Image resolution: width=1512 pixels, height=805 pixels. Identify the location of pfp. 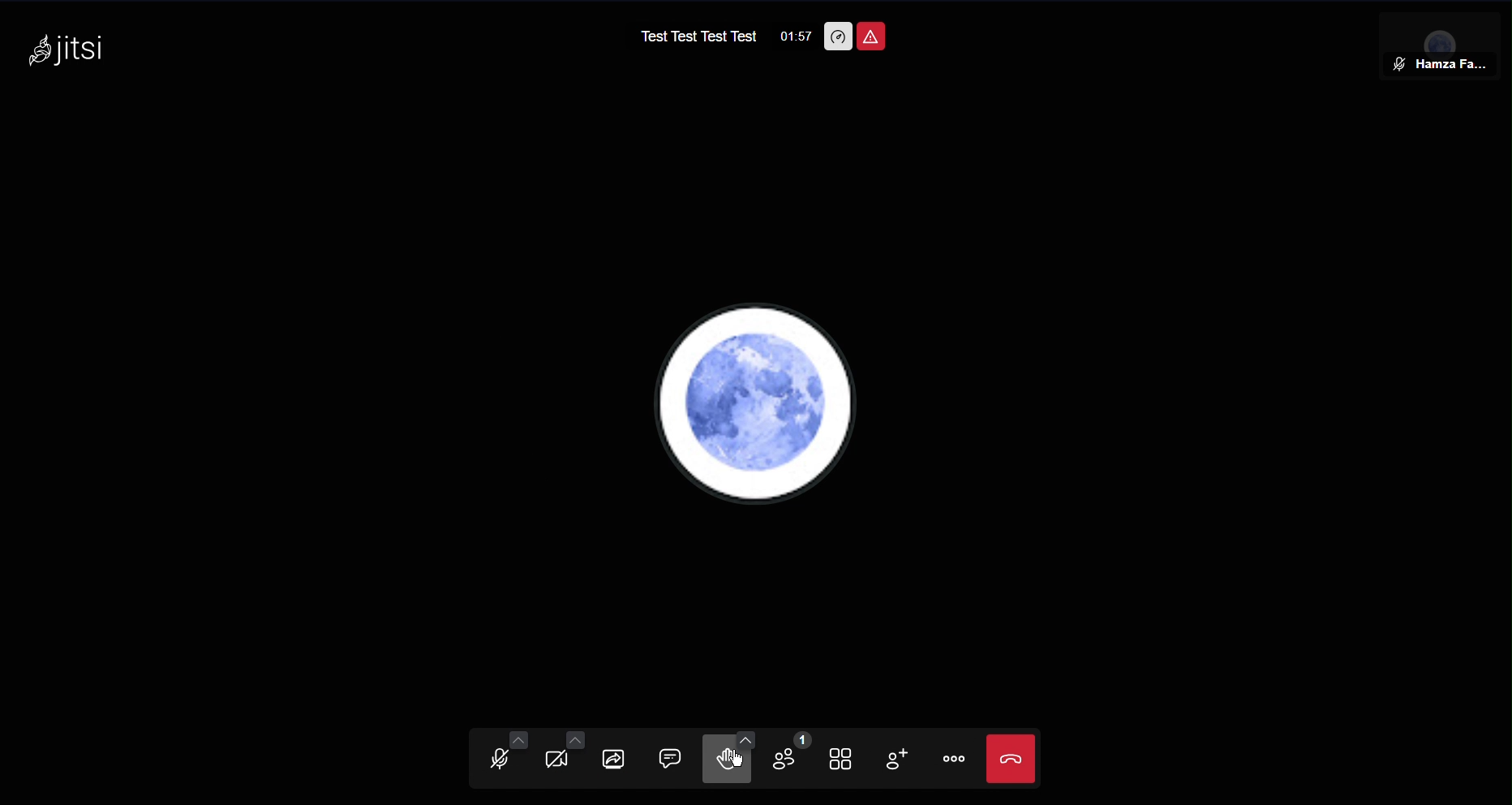
(746, 403).